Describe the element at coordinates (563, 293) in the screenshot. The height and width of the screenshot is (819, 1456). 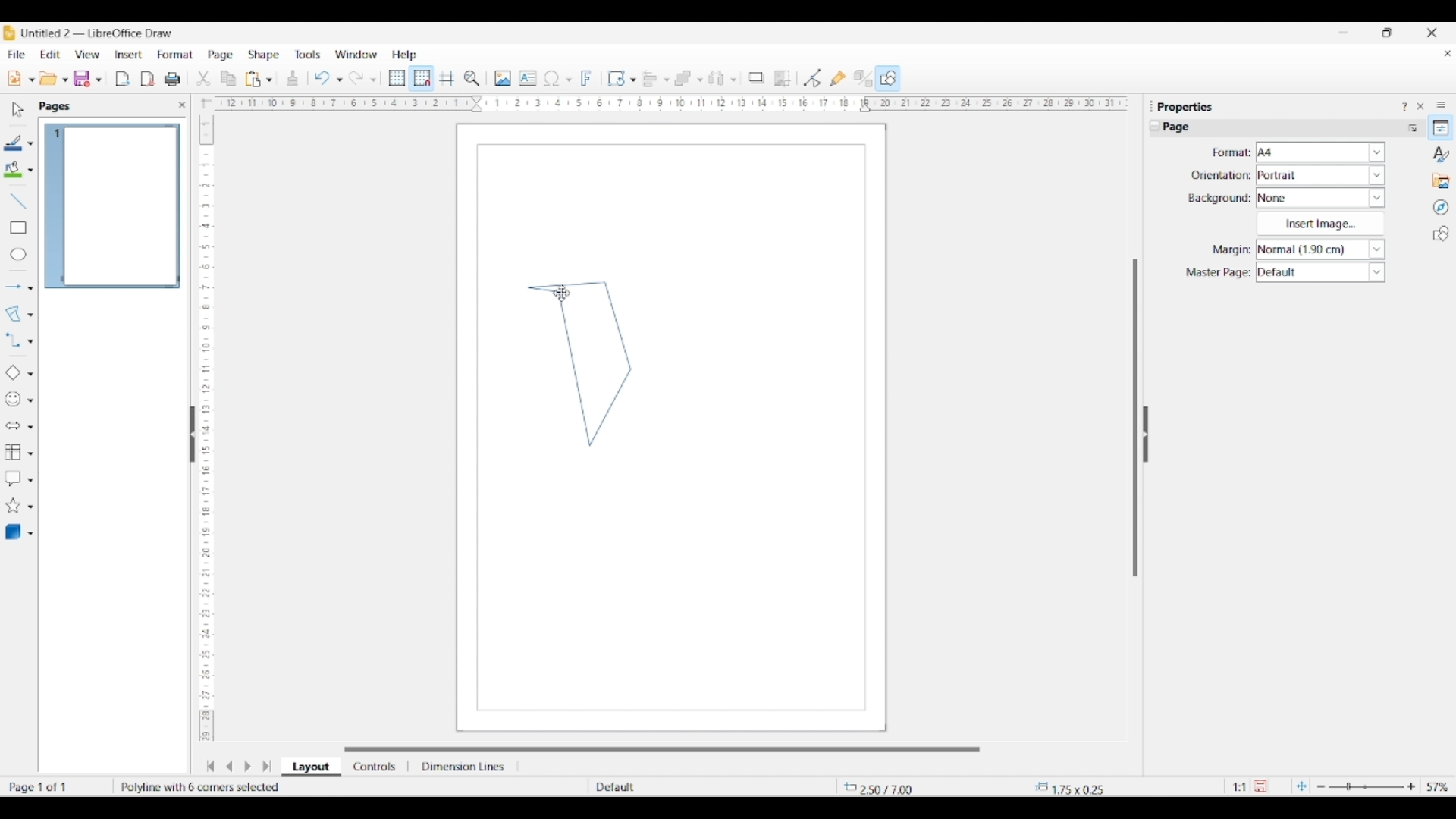
I see `Cursor double clicking on canvas to close polygon` at that location.